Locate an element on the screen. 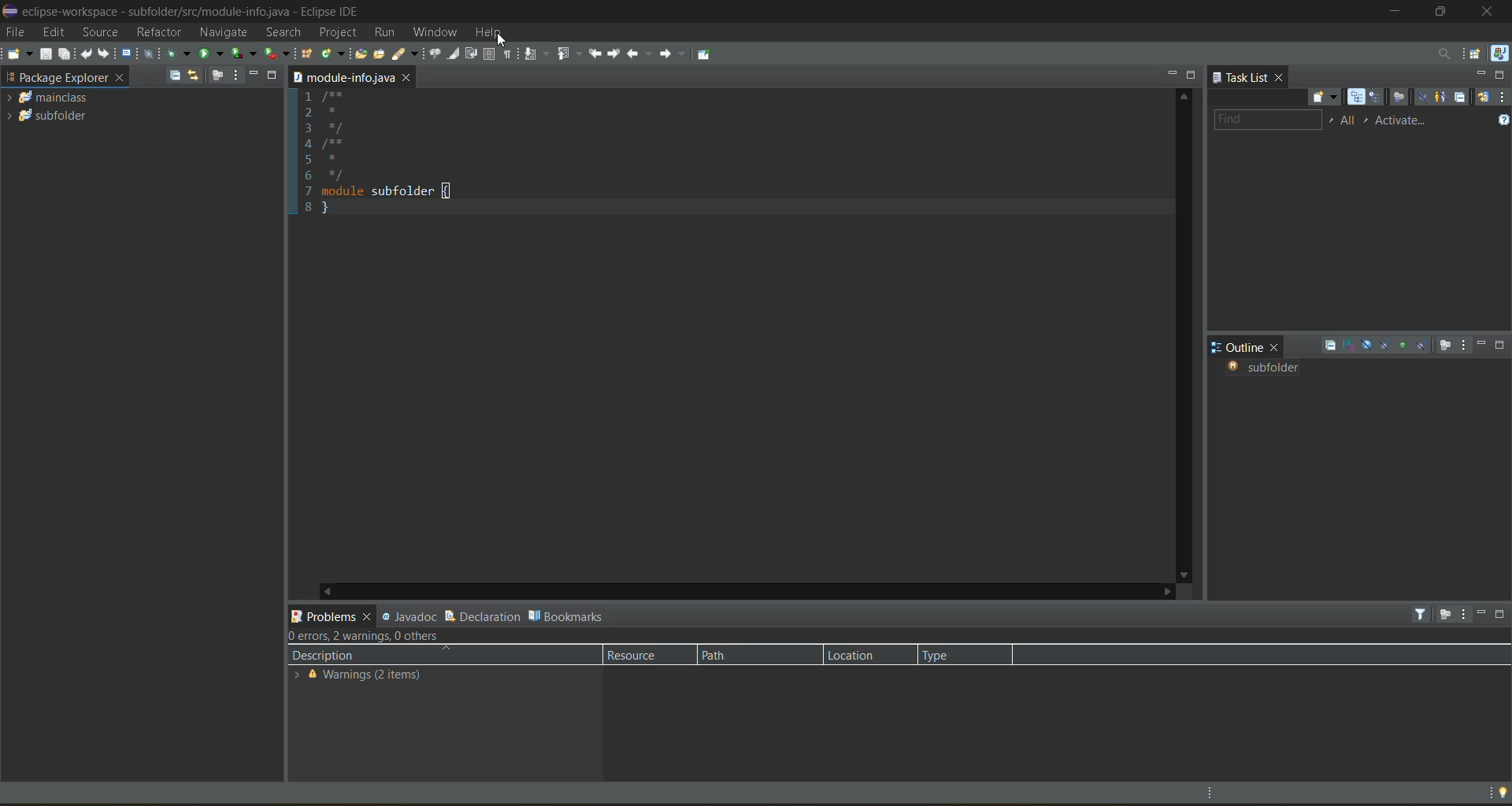  hide static fields and methods is located at coordinates (1384, 346).